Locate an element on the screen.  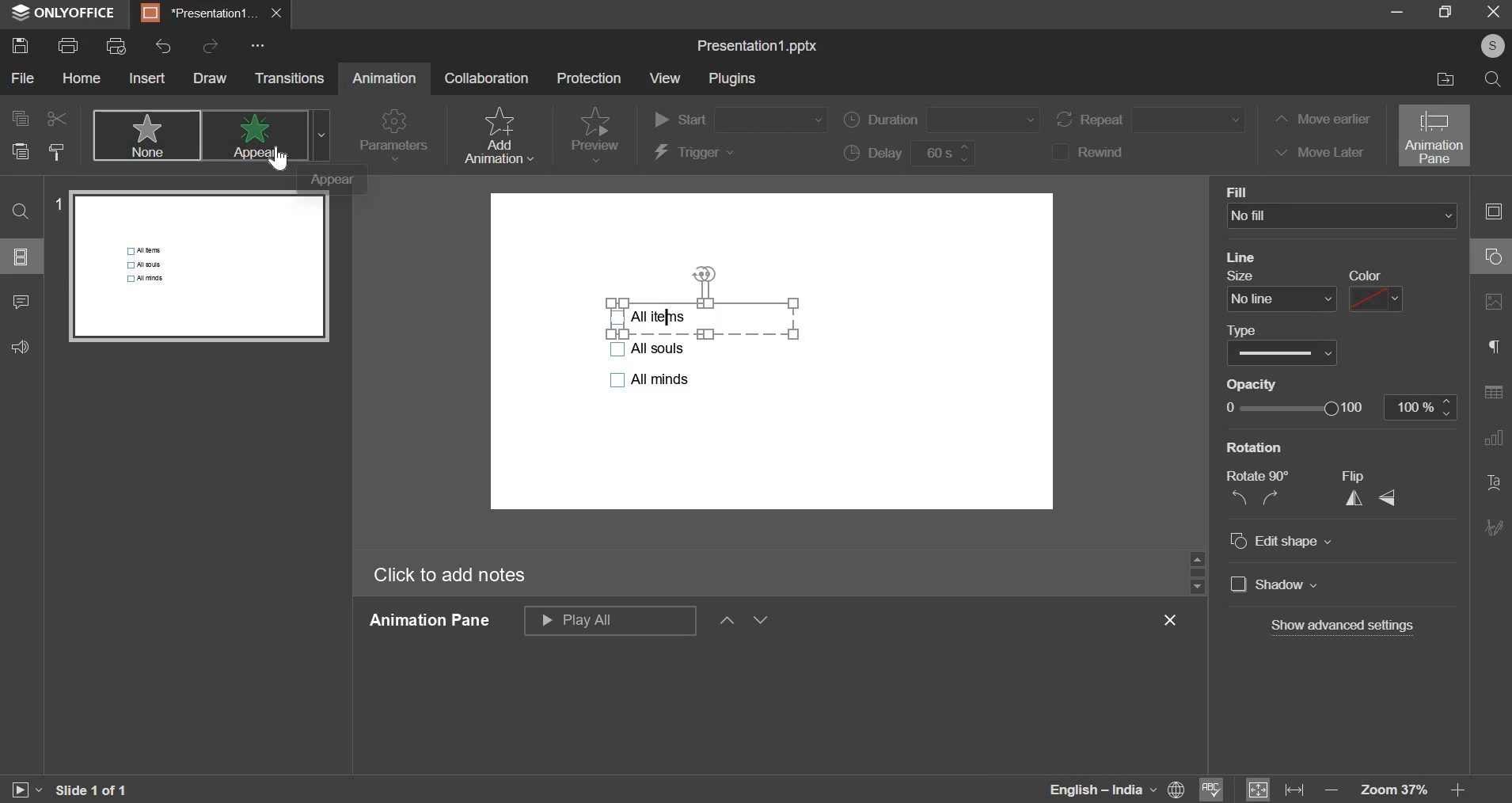
opacity slider is located at coordinates (1339, 409).